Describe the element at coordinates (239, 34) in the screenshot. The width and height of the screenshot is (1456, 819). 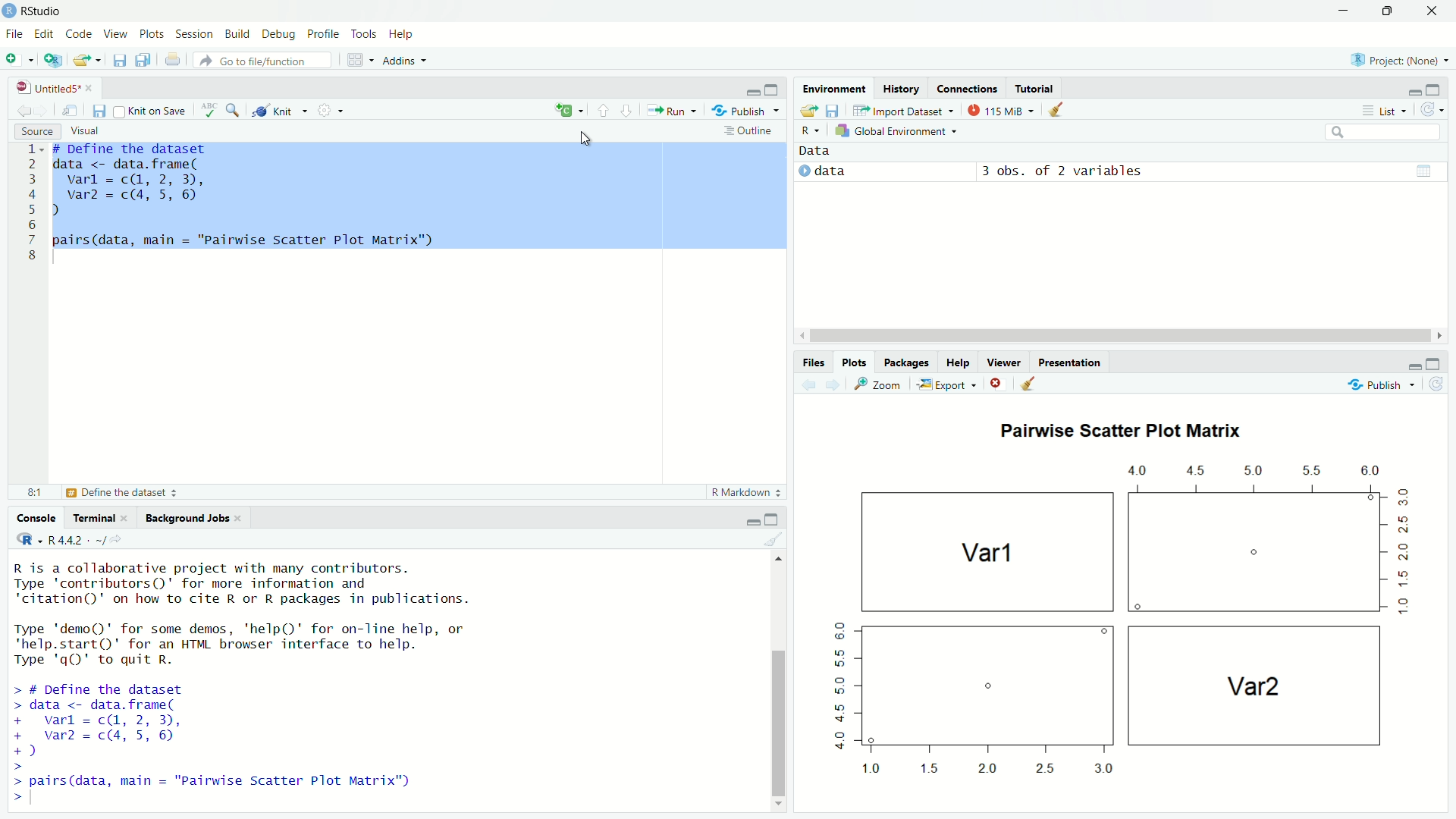
I see `Build` at that location.